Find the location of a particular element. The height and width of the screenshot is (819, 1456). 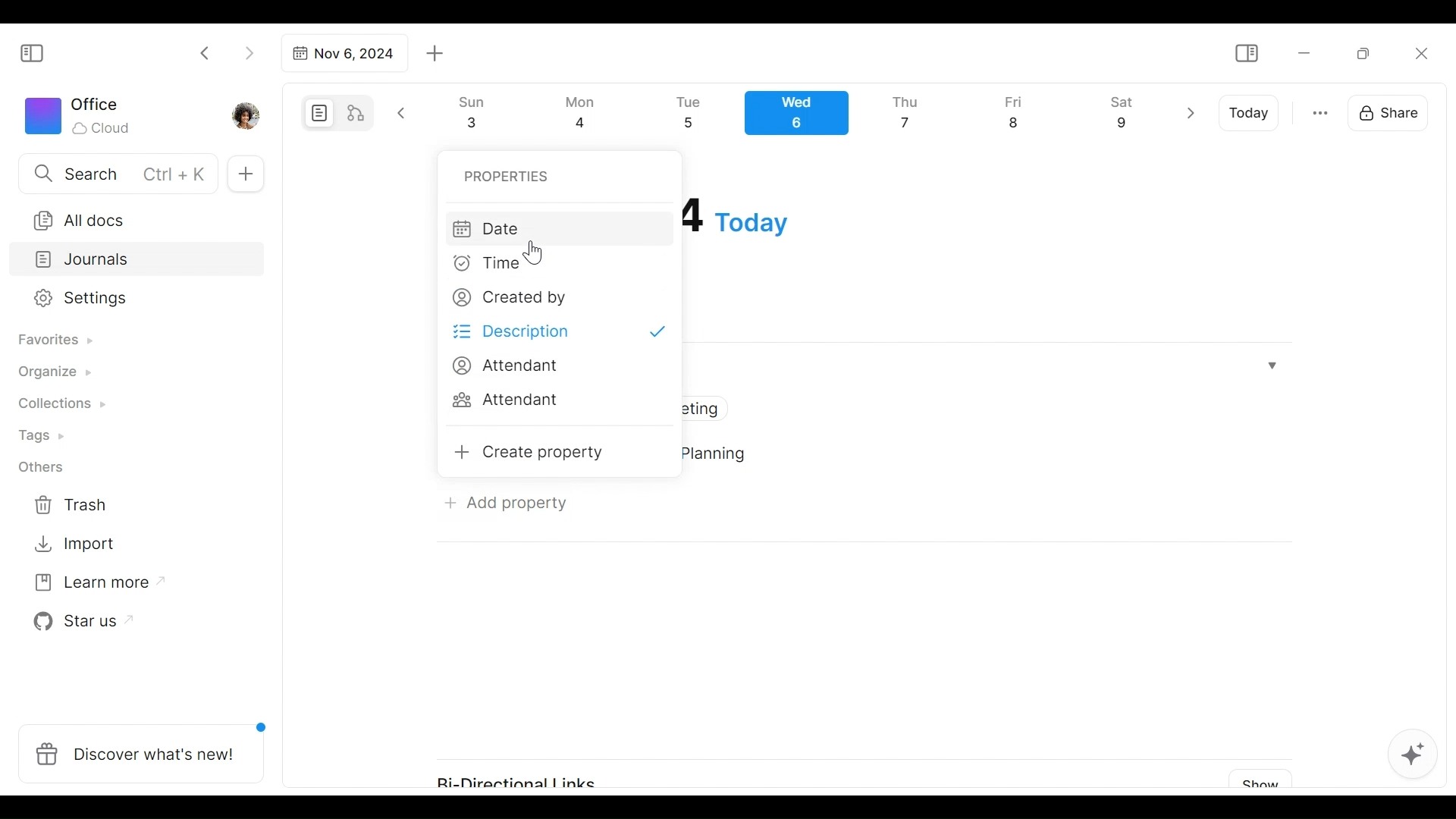

Collections is located at coordinates (60, 406).